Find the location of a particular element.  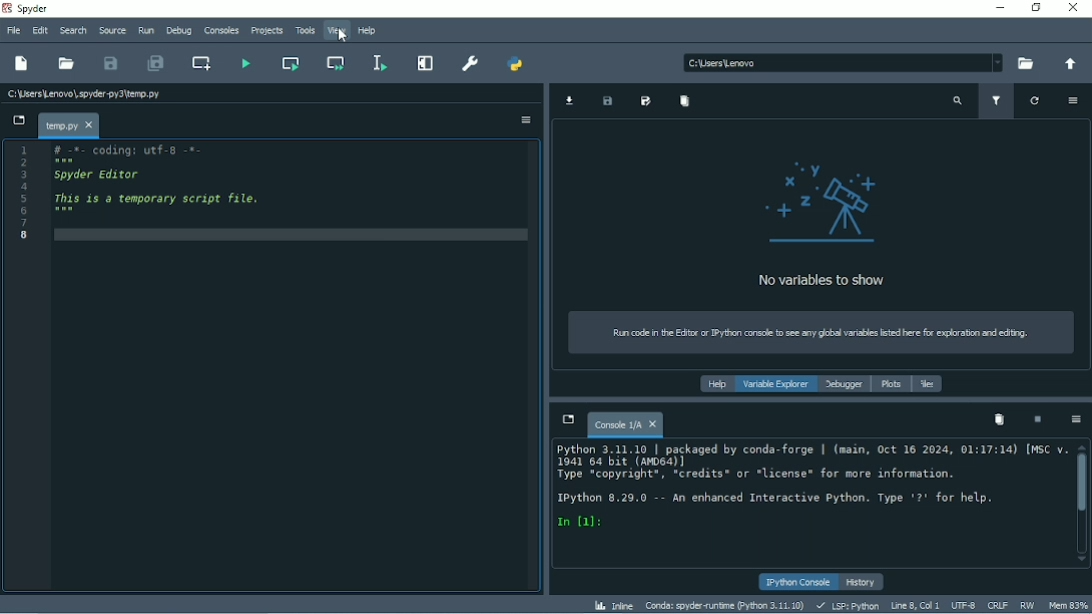

Browse tabs is located at coordinates (18, 121).